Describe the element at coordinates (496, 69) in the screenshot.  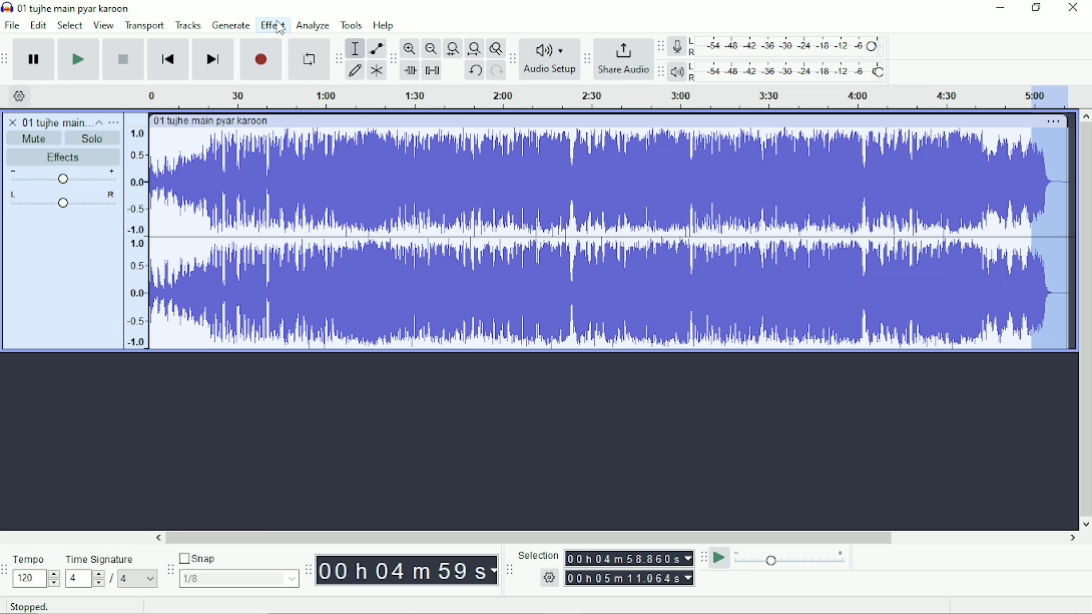
I see `Redo` at that location.